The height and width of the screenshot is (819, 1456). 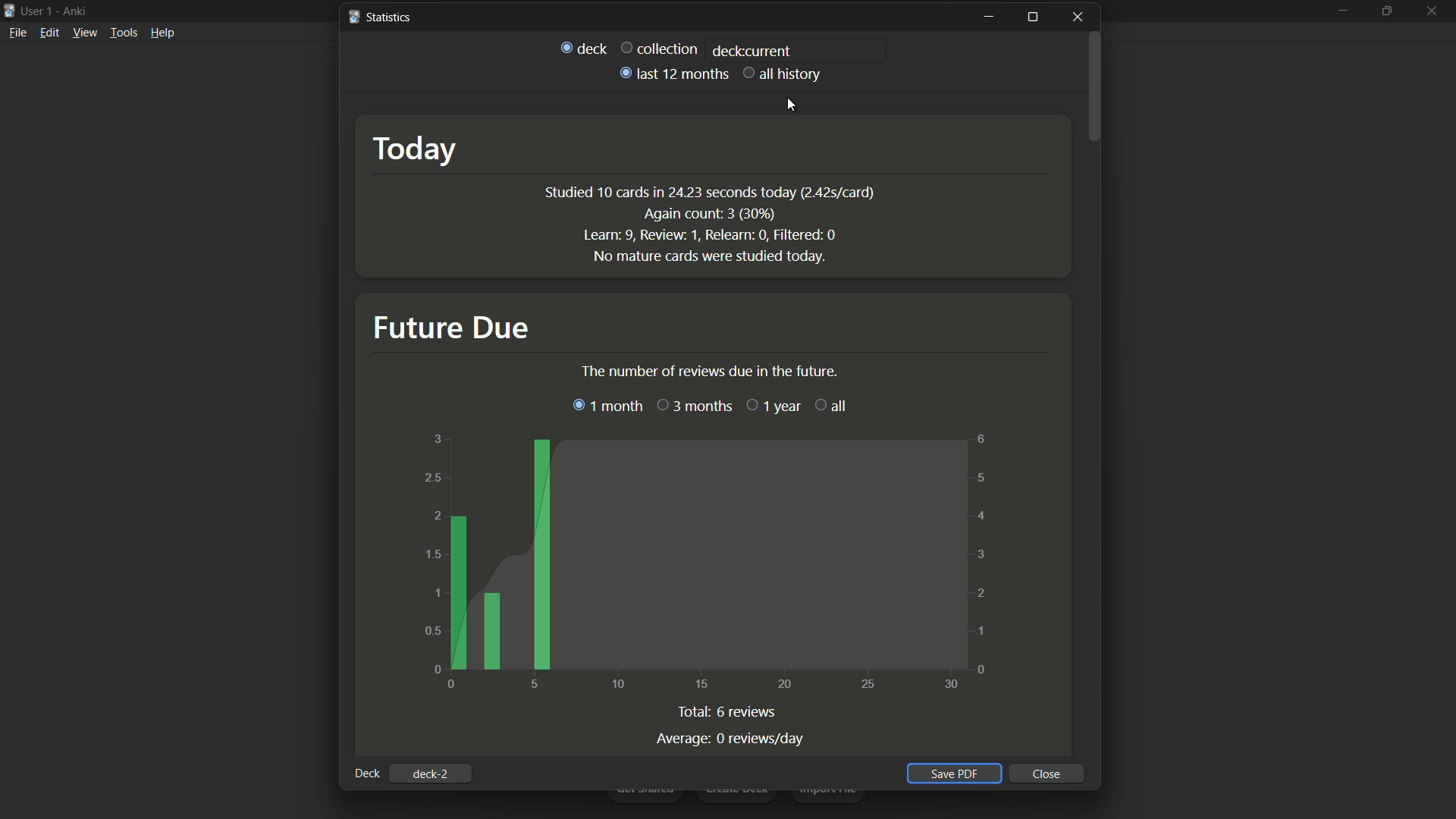 What do you see at coordinates (752, 50) in the screenshot?
I see `deck:current` at bounding box center [752, 50].